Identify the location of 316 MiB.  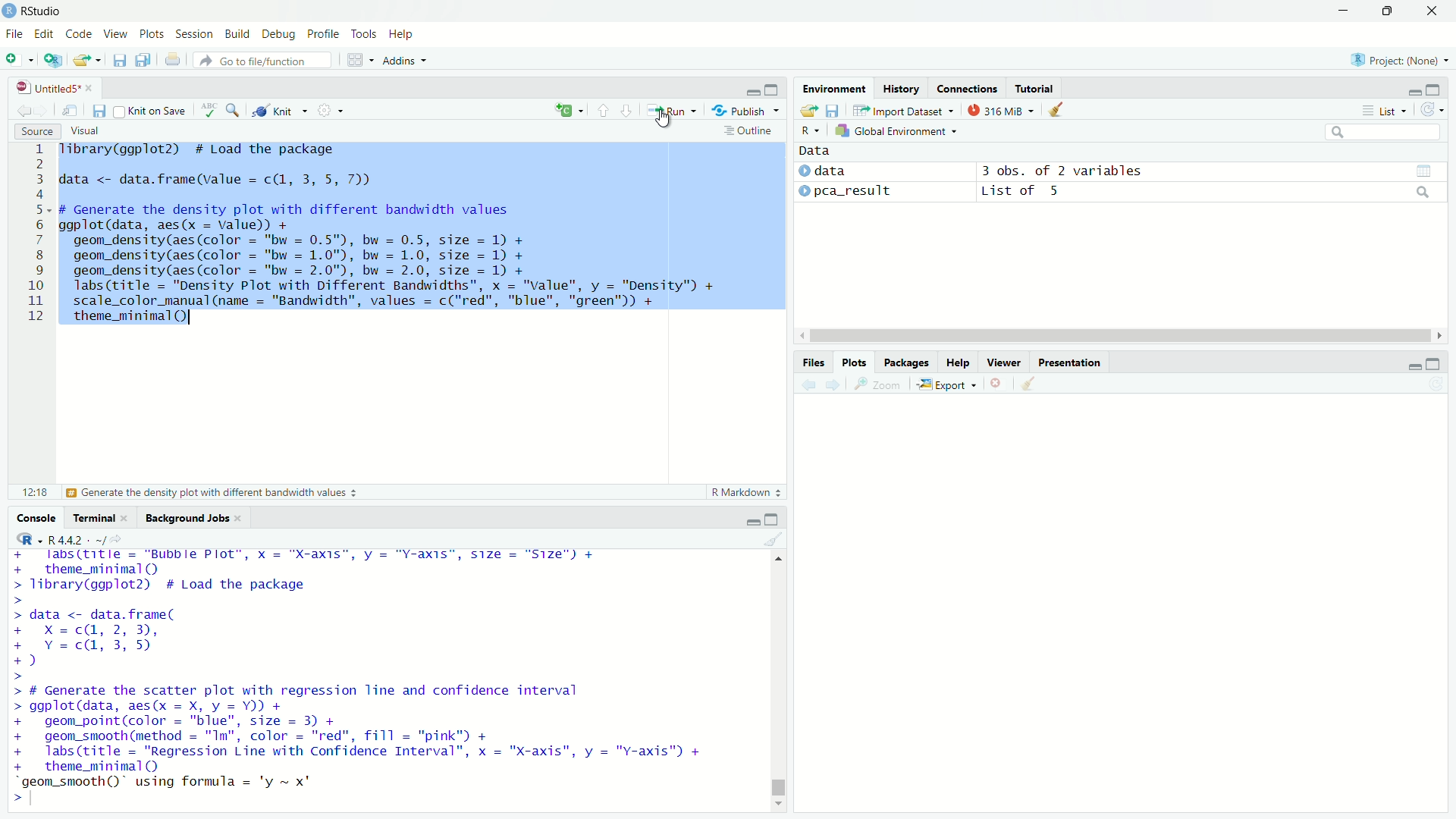
(1000, 110).